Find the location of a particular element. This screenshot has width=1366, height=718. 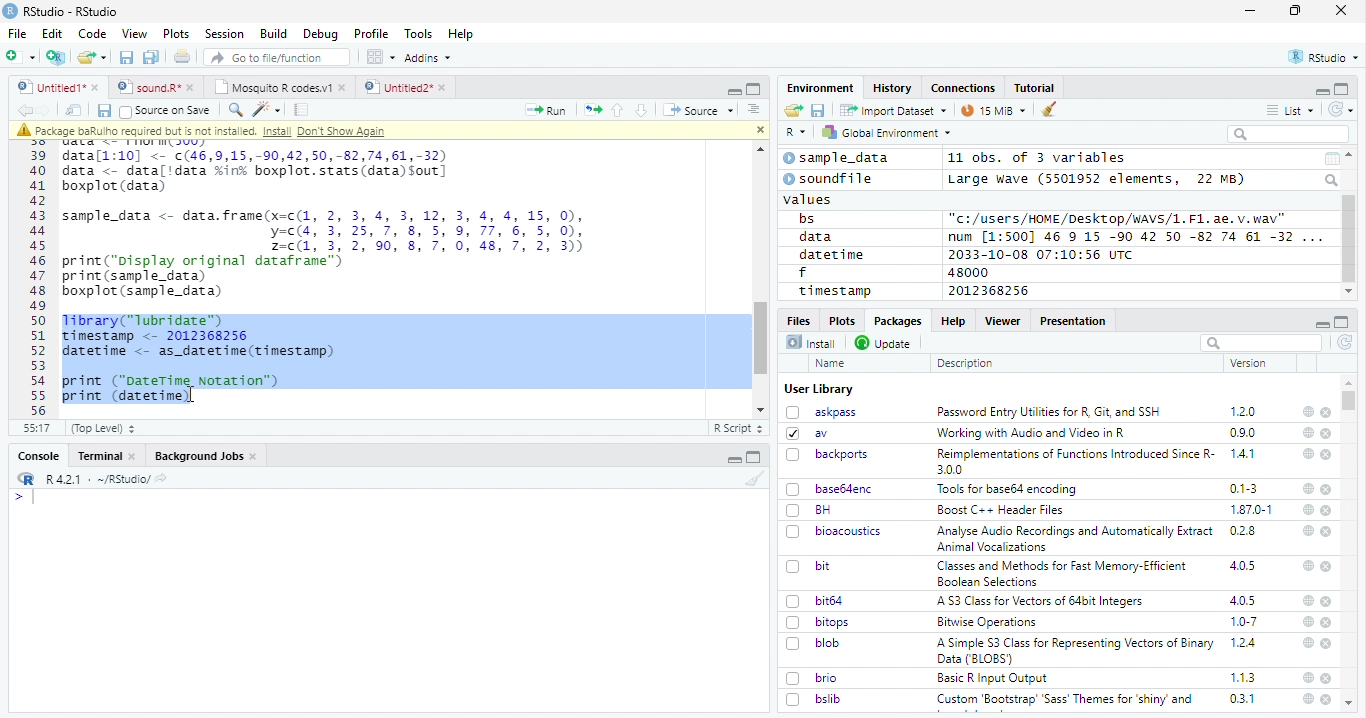

minimize is located at coordinates (1321, 90).